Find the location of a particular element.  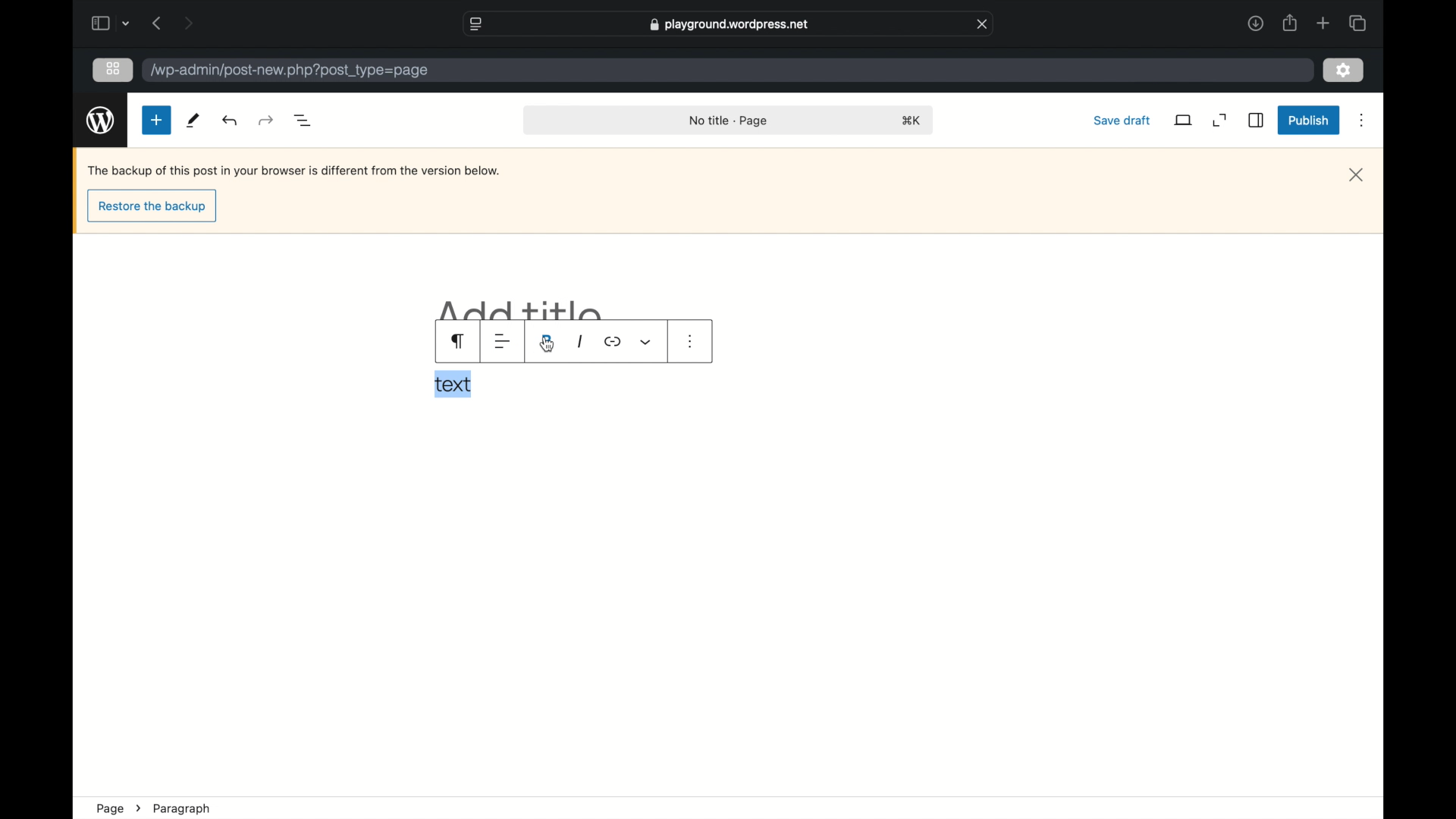

paragraph is located at coordinates (460, 341).